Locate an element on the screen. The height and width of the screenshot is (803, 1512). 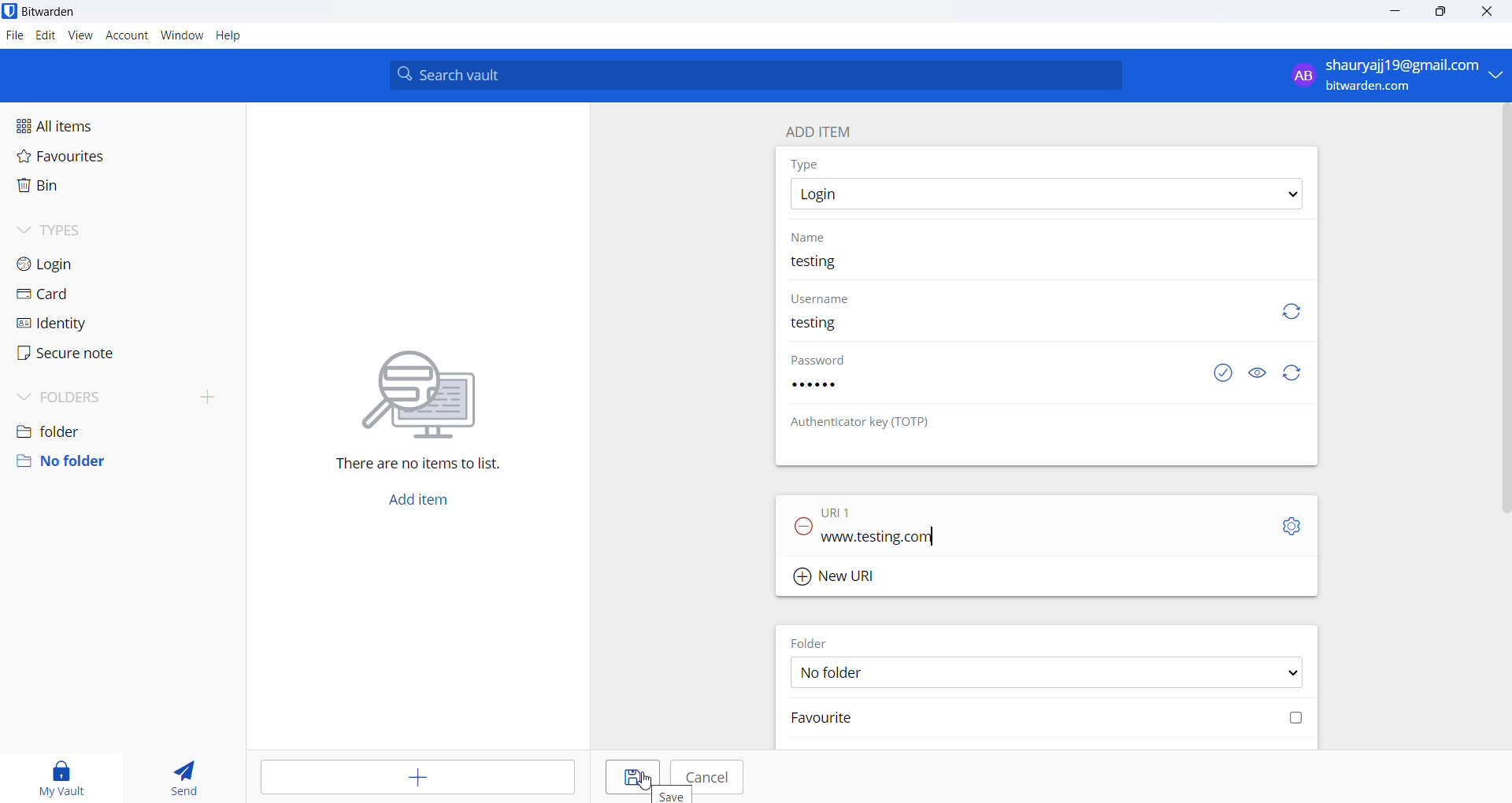
username input box. user name added "testing" is located at coordinates (1014, 327).